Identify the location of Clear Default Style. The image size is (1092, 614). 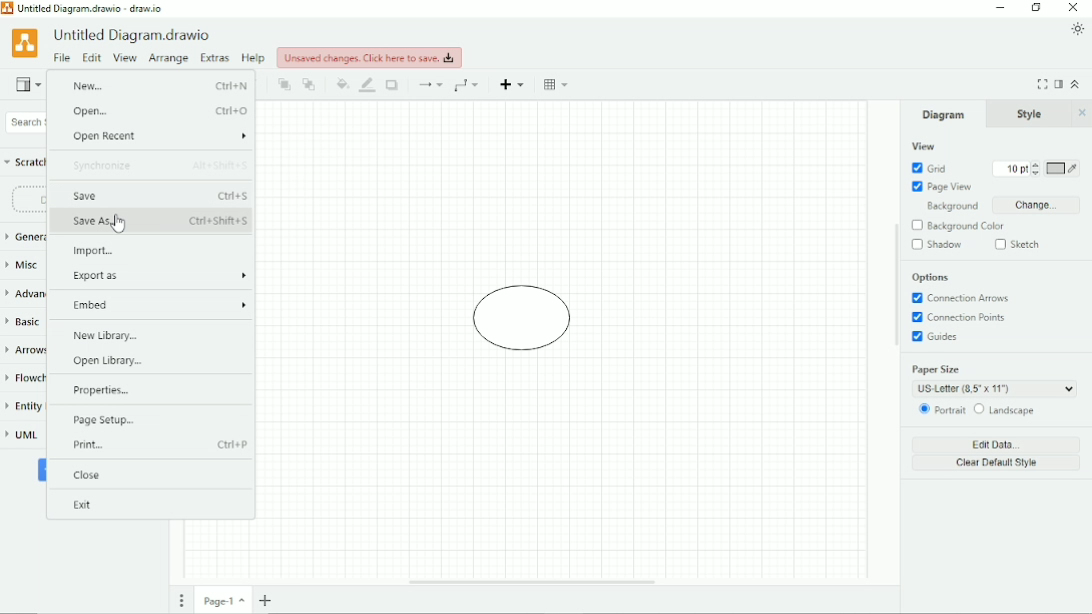
(996, 463).